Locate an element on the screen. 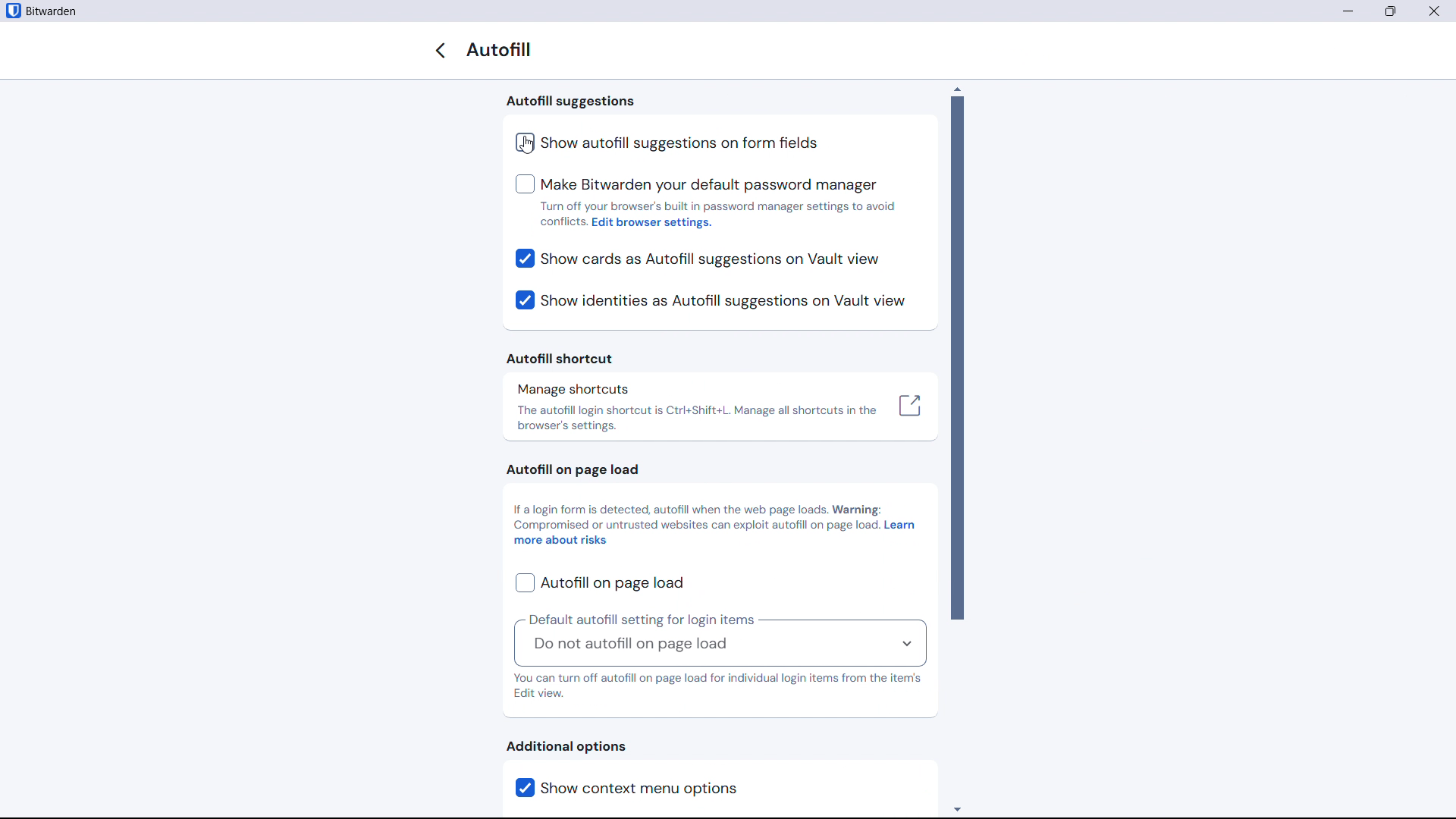 The width and height of the screenshot is (1456, 819). Make bit warden your default password manager is located at coordinates (696, 185).